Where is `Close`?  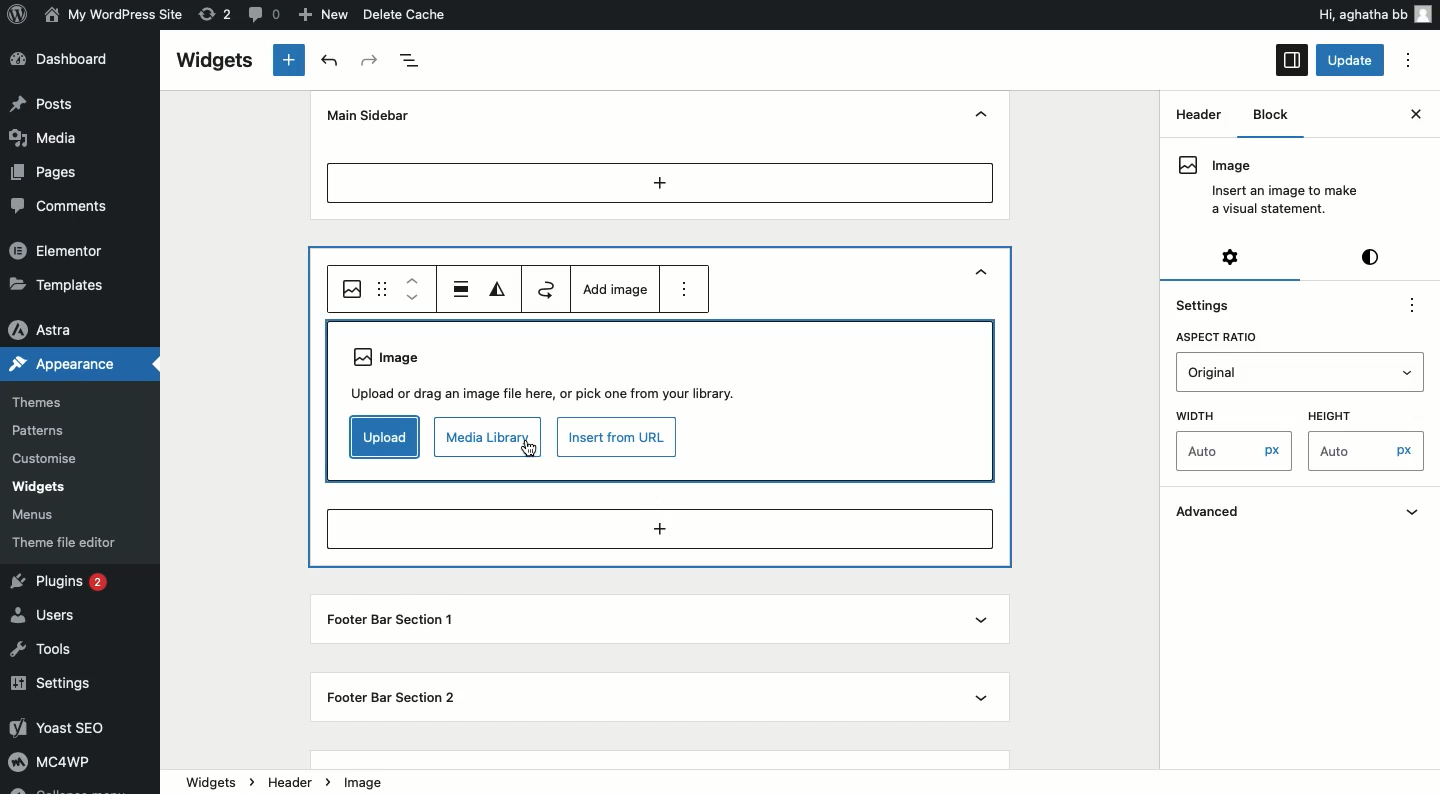
Close is located at coordinates (1415, 114).